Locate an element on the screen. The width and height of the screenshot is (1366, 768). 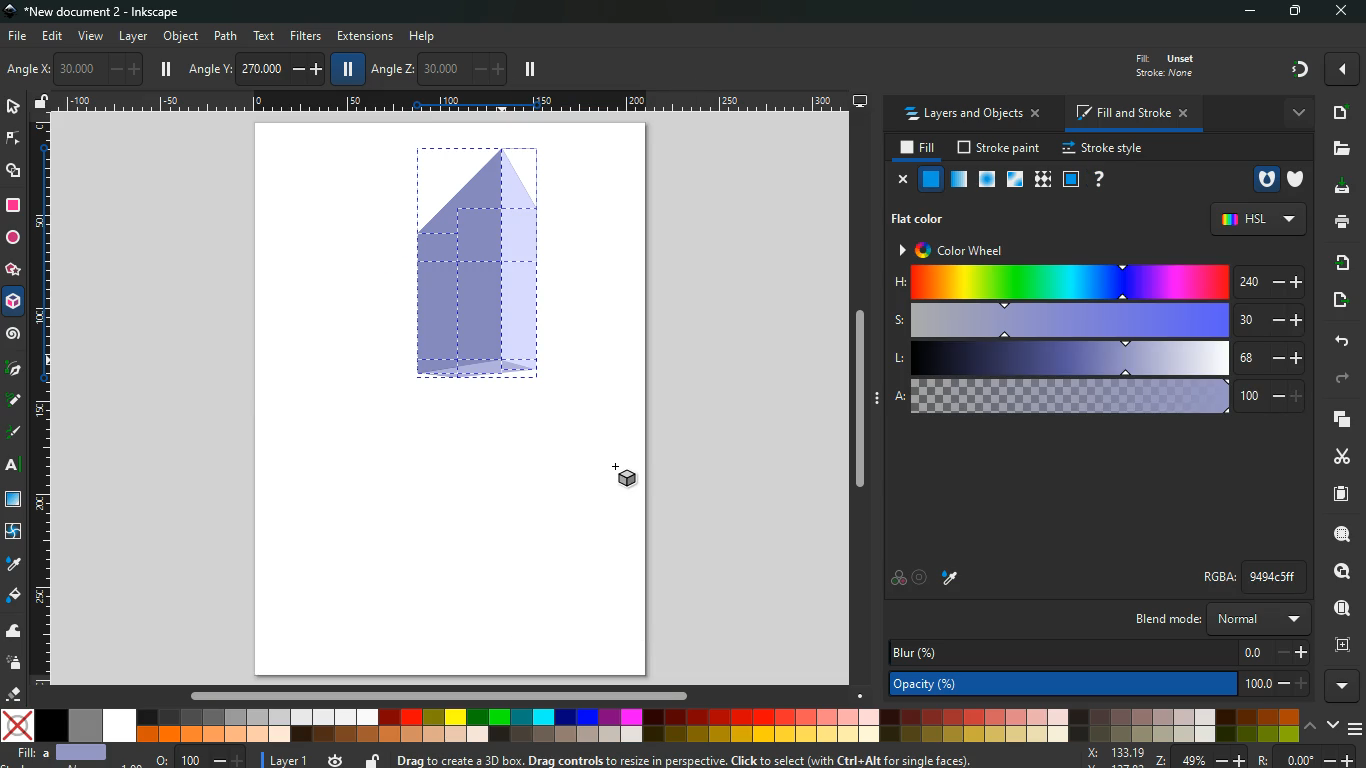
flat color is located at coordinates (924, 217).